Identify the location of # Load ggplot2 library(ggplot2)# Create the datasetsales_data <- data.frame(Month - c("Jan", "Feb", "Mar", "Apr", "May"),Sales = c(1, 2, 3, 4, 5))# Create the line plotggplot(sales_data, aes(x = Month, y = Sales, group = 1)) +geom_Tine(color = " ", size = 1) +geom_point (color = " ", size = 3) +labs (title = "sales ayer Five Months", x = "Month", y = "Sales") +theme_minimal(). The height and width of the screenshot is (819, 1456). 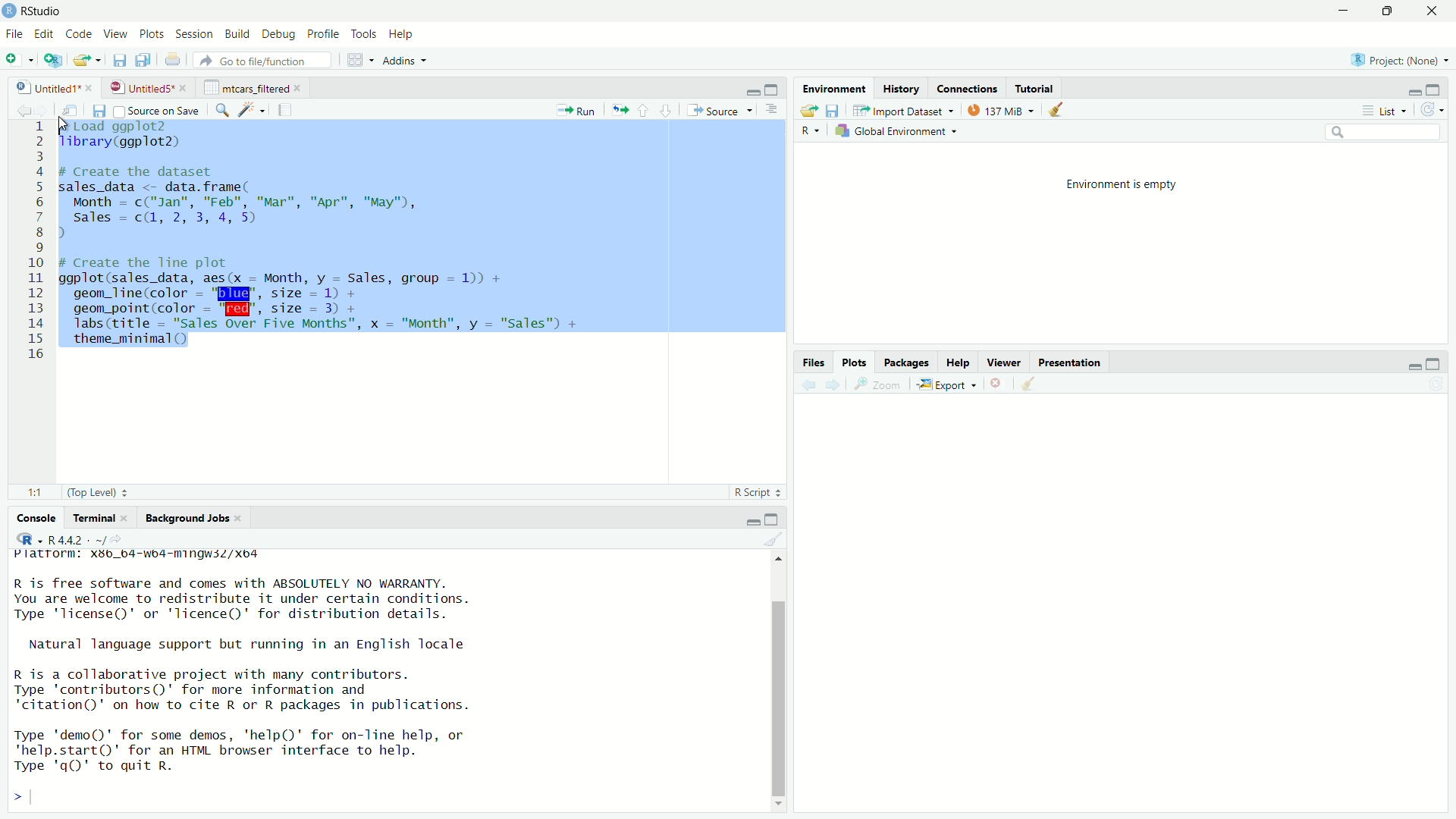
(327, 239).